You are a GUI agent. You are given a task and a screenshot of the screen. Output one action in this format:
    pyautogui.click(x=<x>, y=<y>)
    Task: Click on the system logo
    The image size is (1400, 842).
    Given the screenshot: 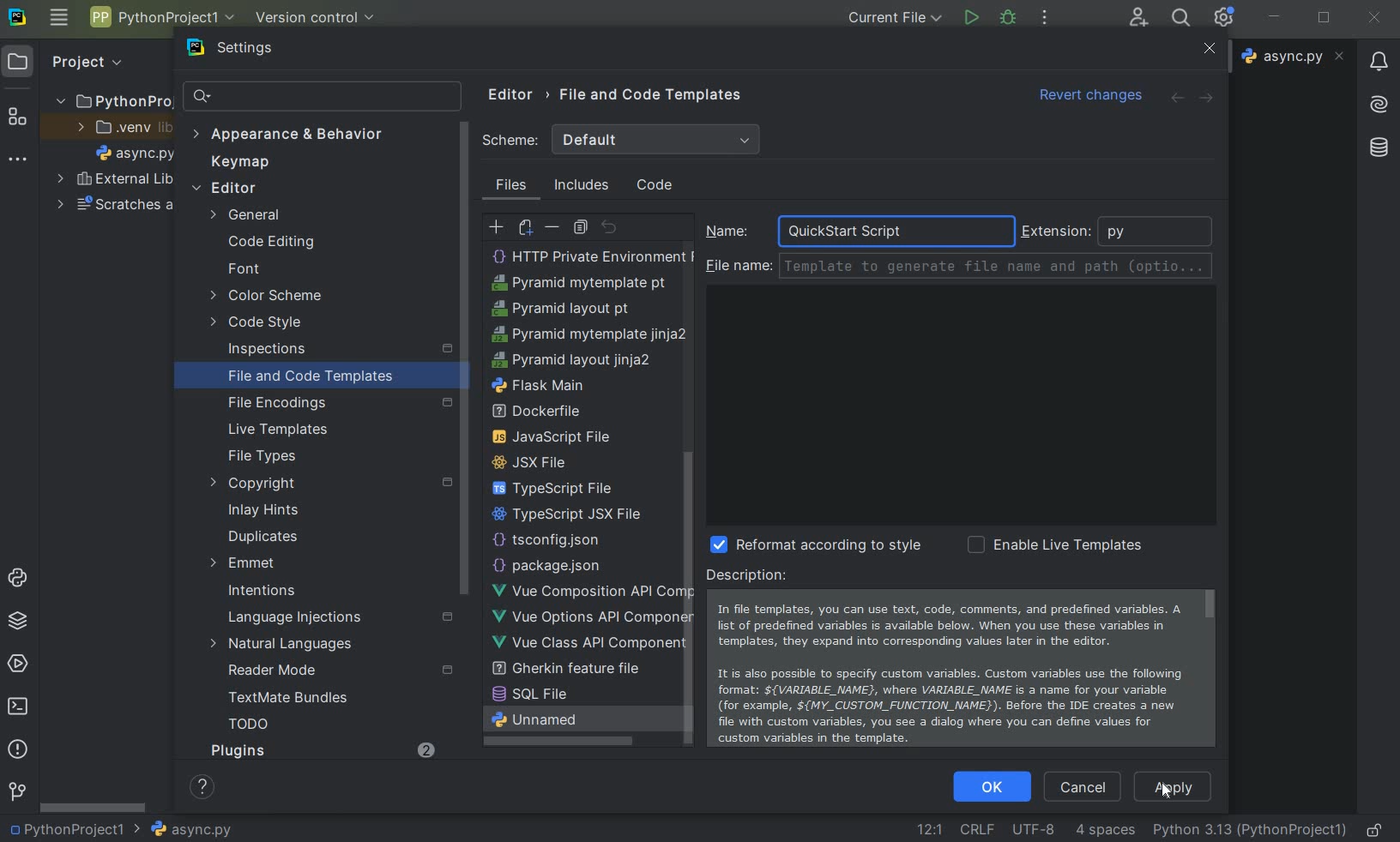 What is the action you would take?
    pyautogui.click(x=17, y=19)
    